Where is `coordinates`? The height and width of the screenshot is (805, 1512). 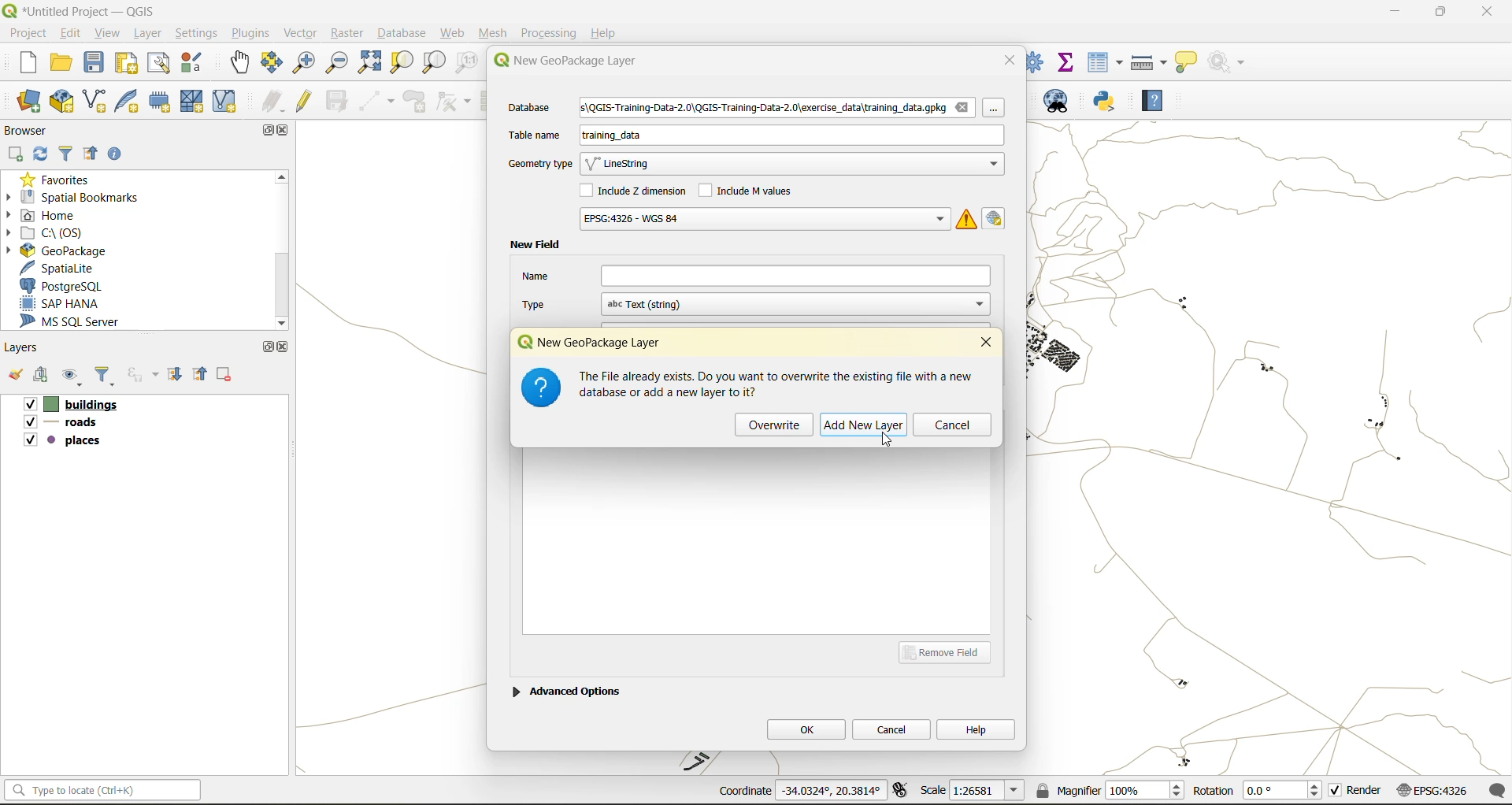 coordinates is located at coordinates (799, 792).